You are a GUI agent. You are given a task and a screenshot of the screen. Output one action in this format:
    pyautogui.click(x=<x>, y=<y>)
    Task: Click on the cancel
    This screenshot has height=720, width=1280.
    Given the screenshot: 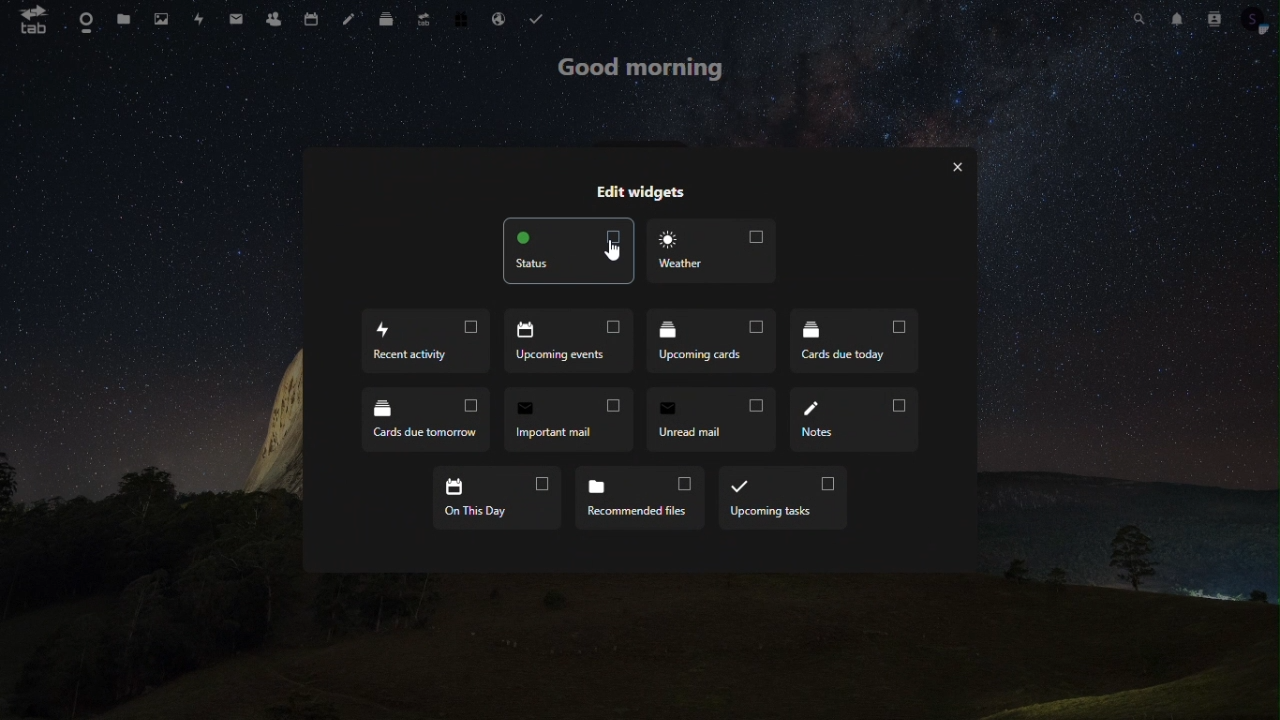 What is the action you would take?
    pyautogui.click(x=960, y=166)
    